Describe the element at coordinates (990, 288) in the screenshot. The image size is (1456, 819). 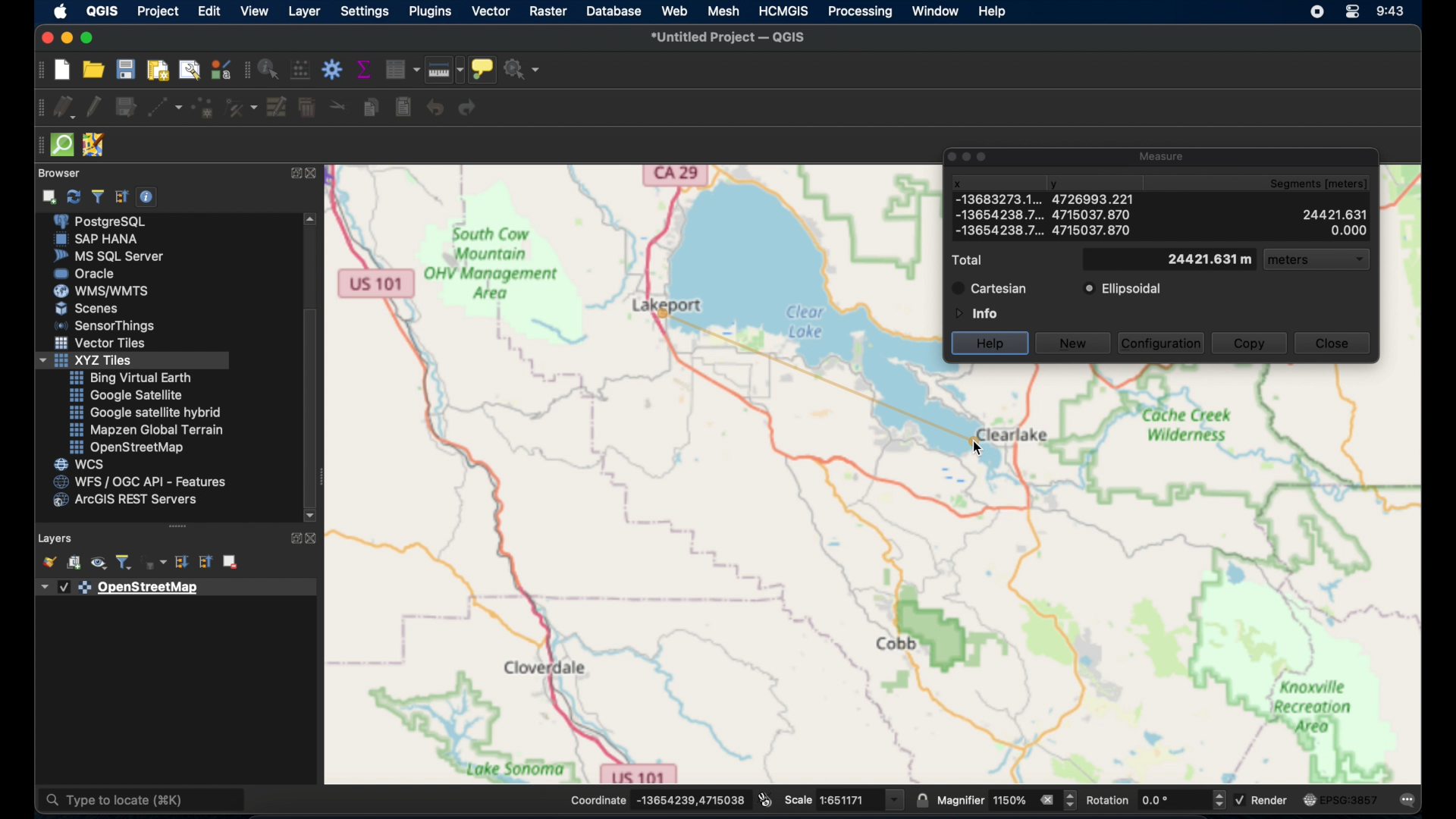
I see `cartesian radio button` at that location.